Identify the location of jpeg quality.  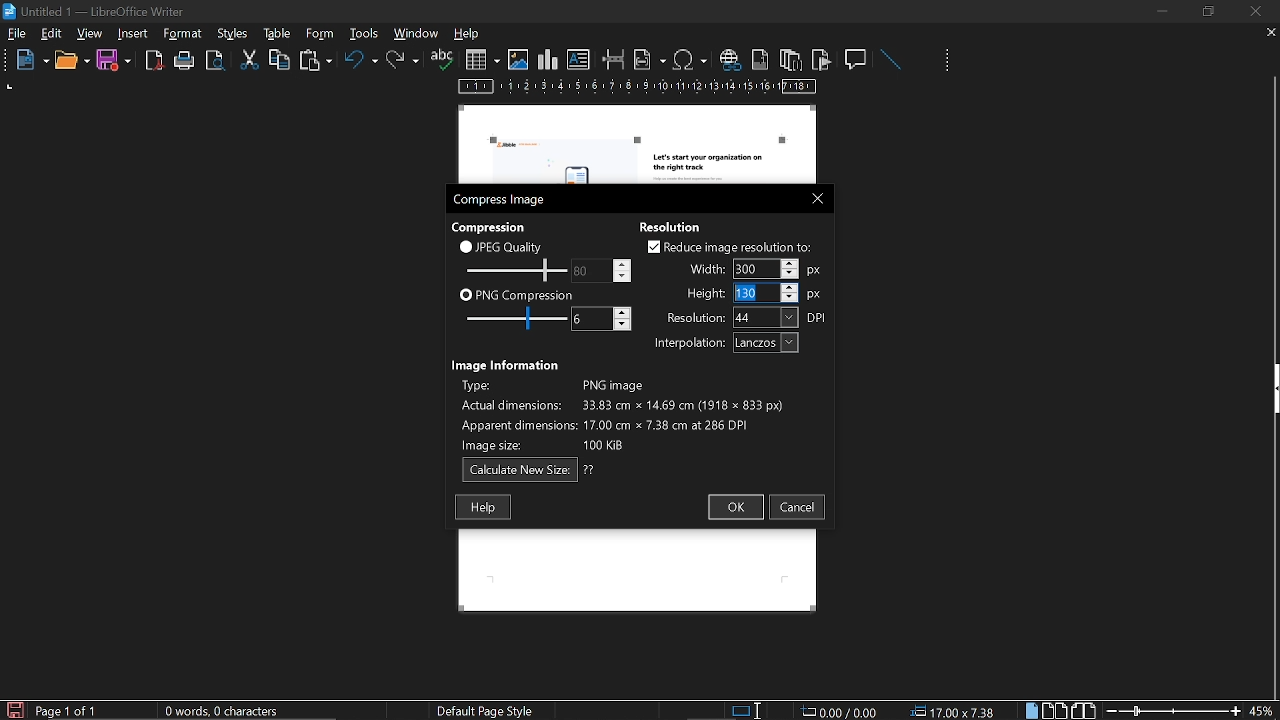
(502, 246).